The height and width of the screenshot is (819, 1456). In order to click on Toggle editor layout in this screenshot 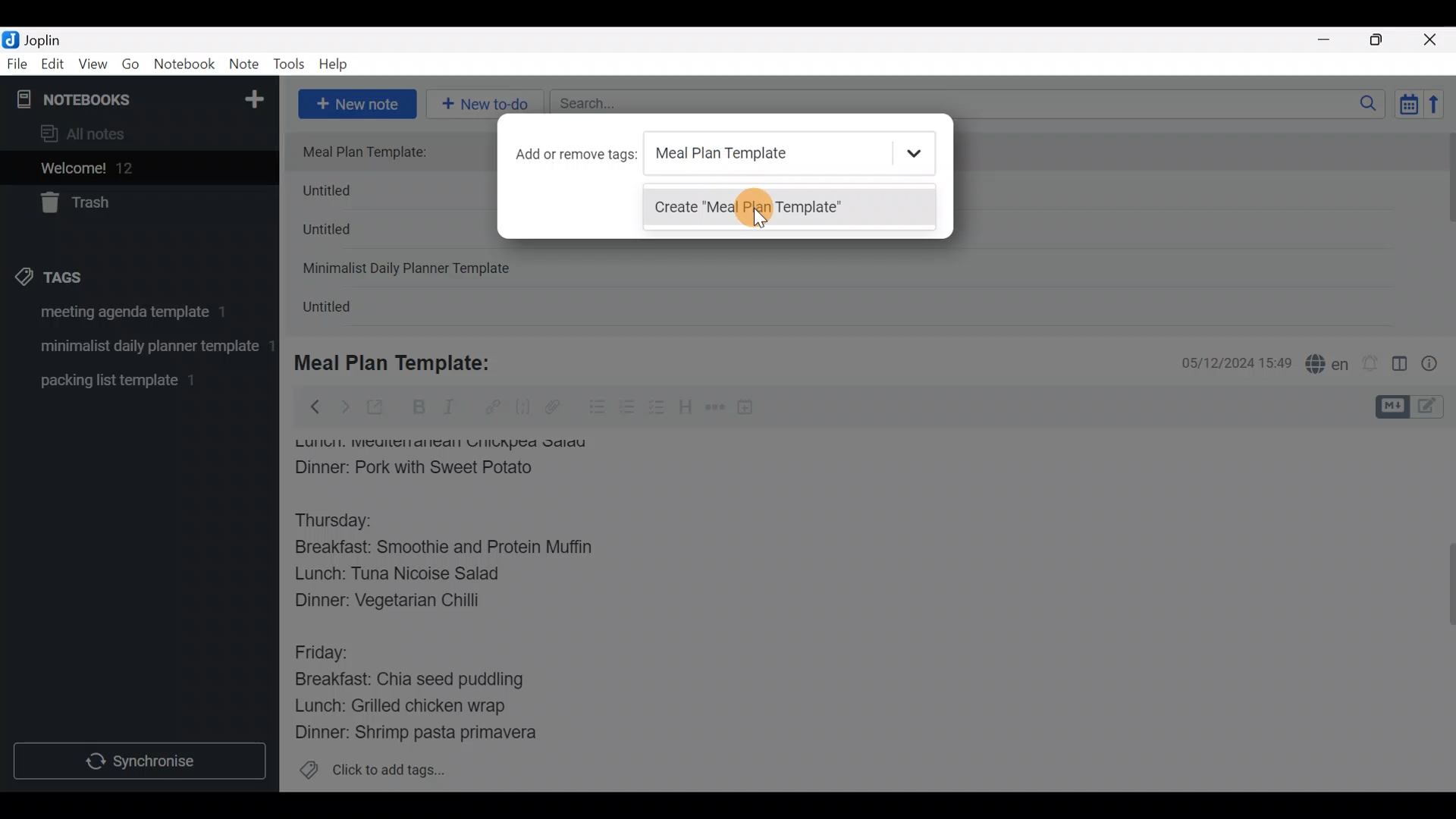, I will do `click(1401, 366)`.